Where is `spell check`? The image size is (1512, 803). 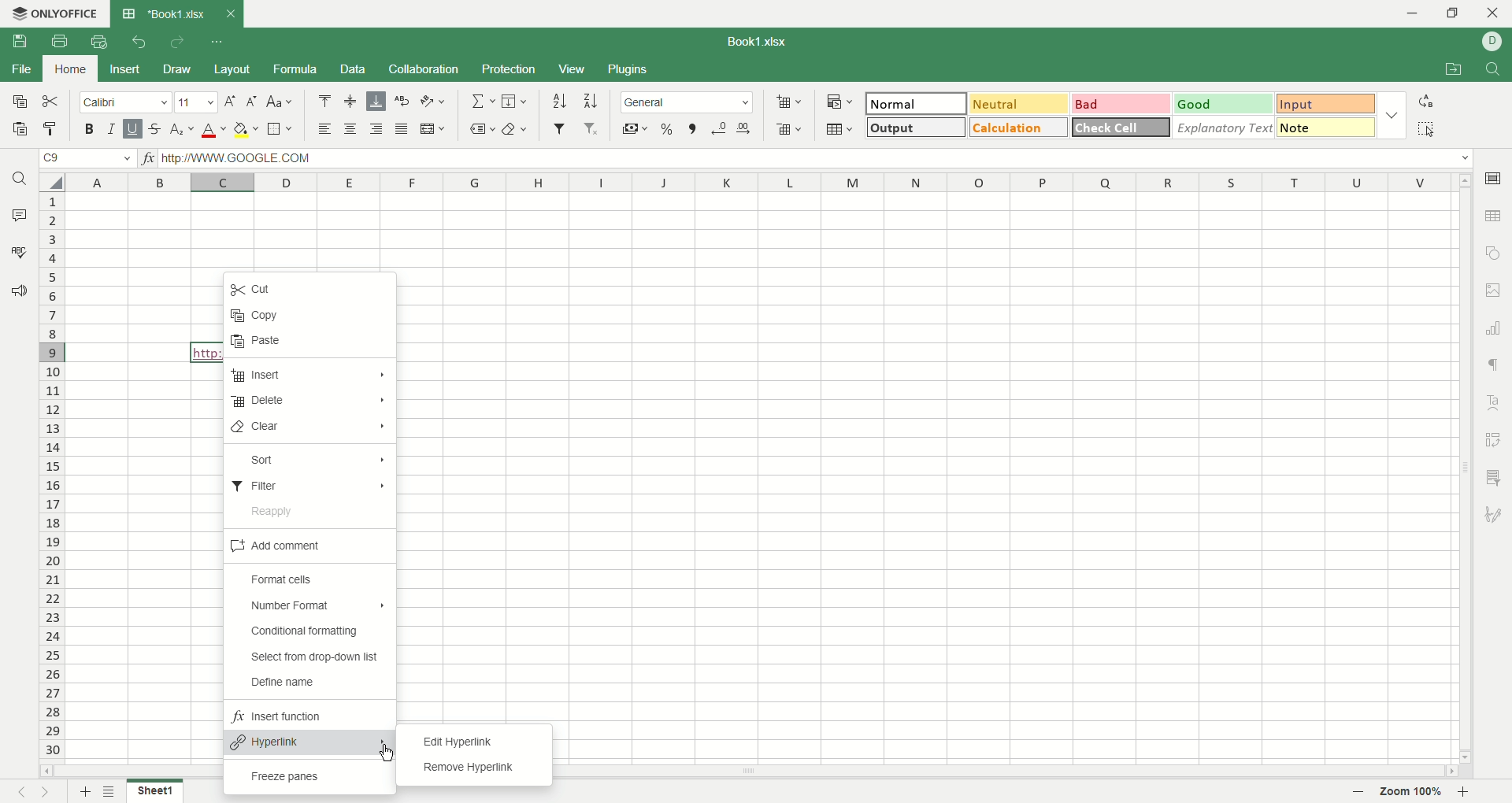 spell check is located at coordinates (18, 251).